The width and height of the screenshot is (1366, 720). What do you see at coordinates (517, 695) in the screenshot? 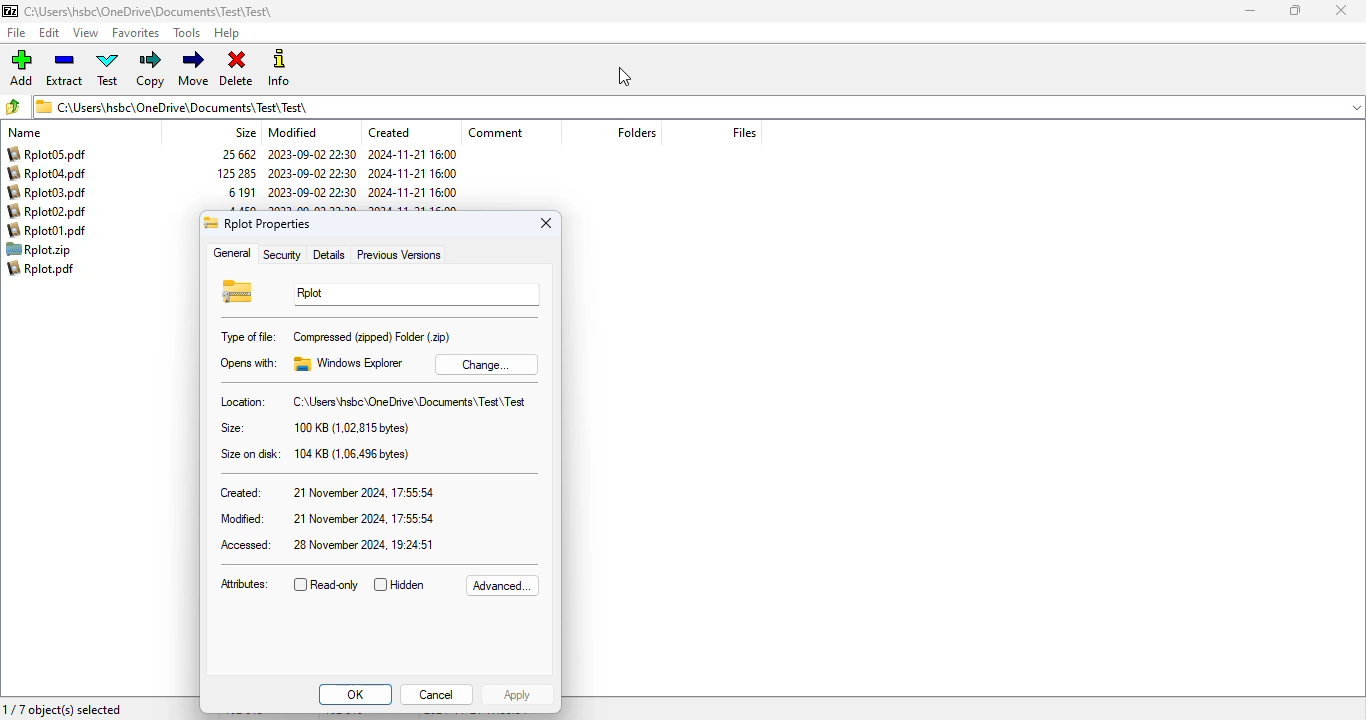
I see `apply` at bounding box center [517, 695].